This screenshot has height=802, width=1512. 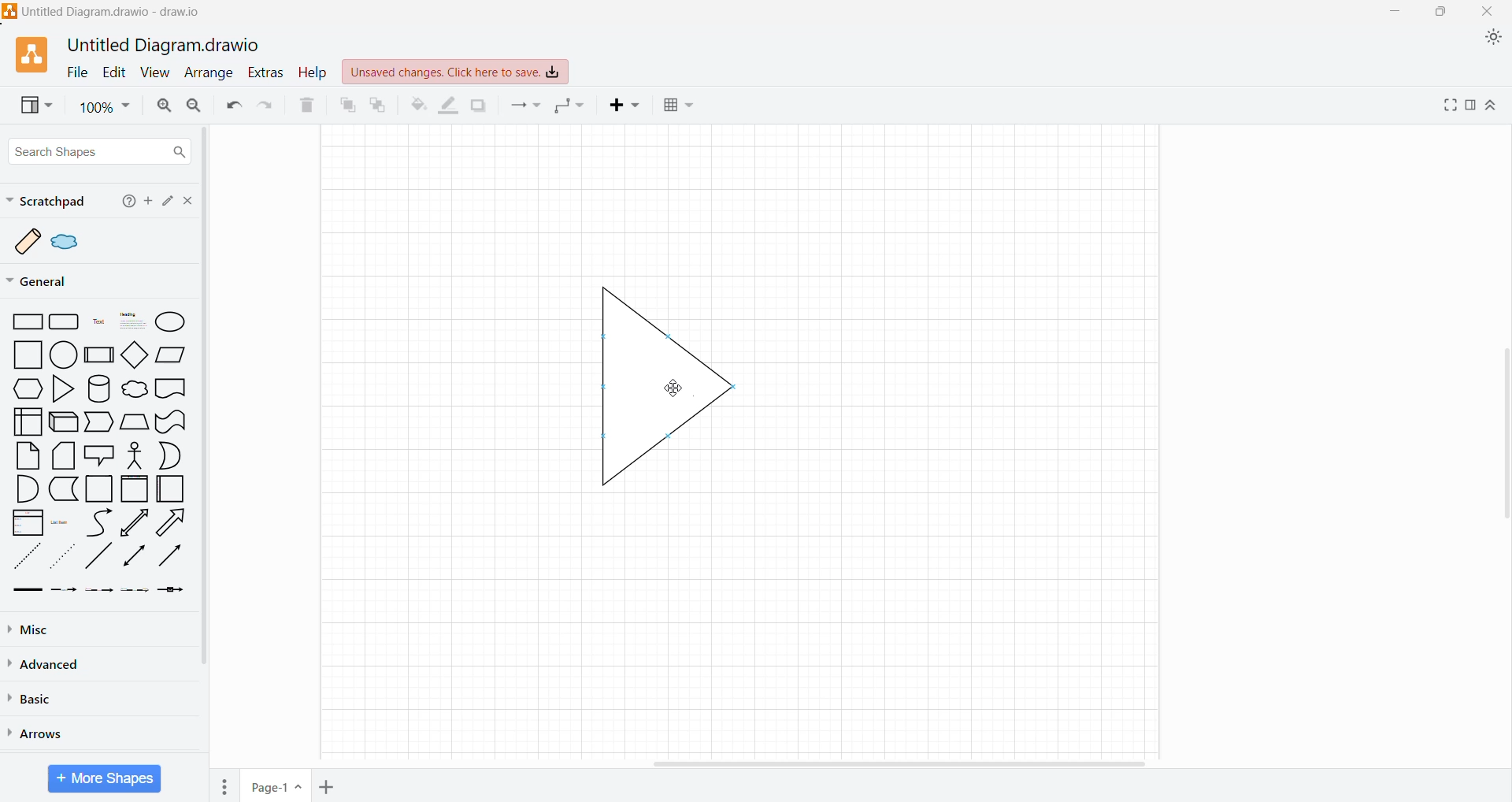 I want to click on Vertical Scroll Bar, so click(x=209, y=396).